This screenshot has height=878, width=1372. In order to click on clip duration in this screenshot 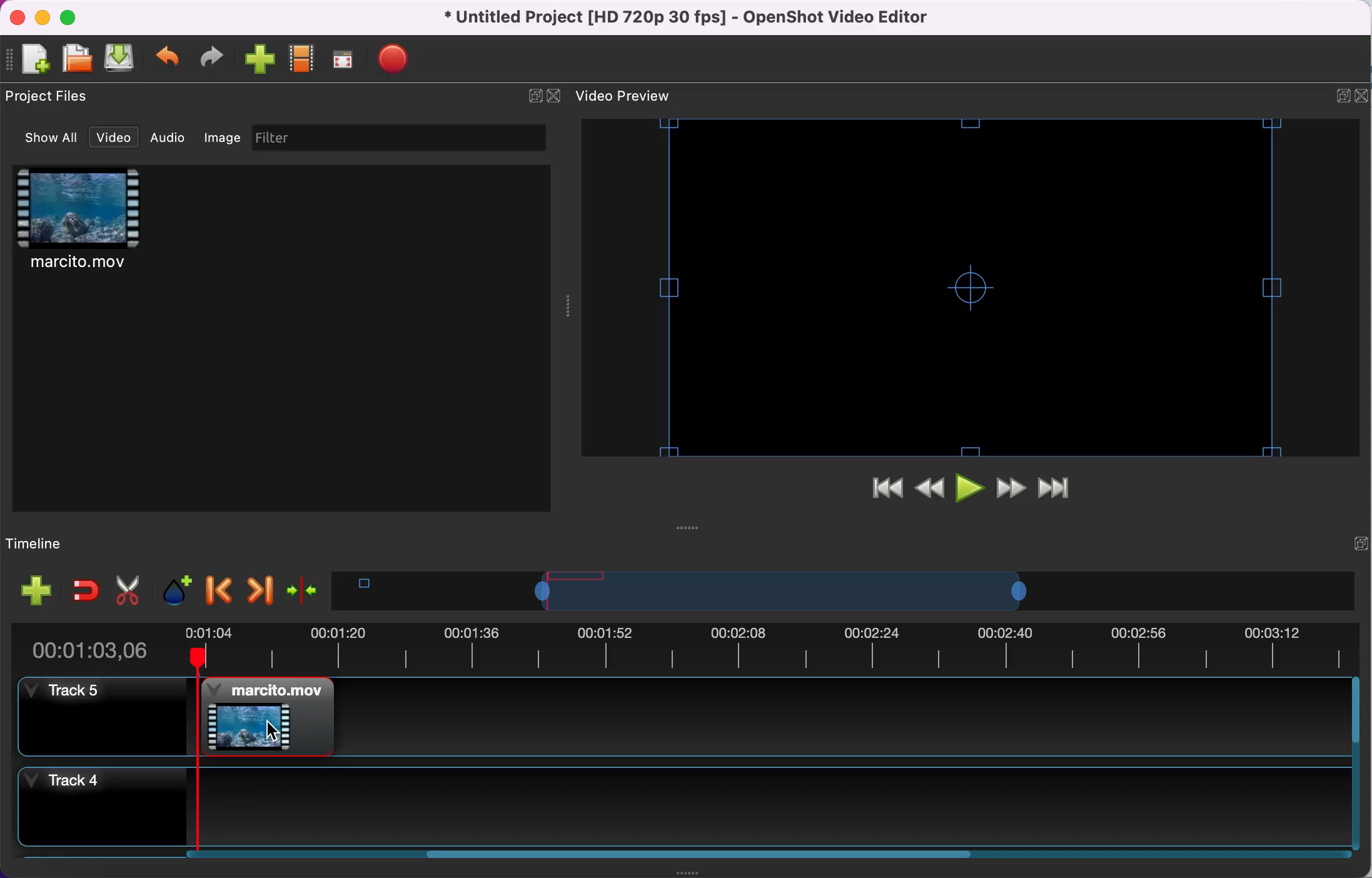, I will do `click(676, 648)`.